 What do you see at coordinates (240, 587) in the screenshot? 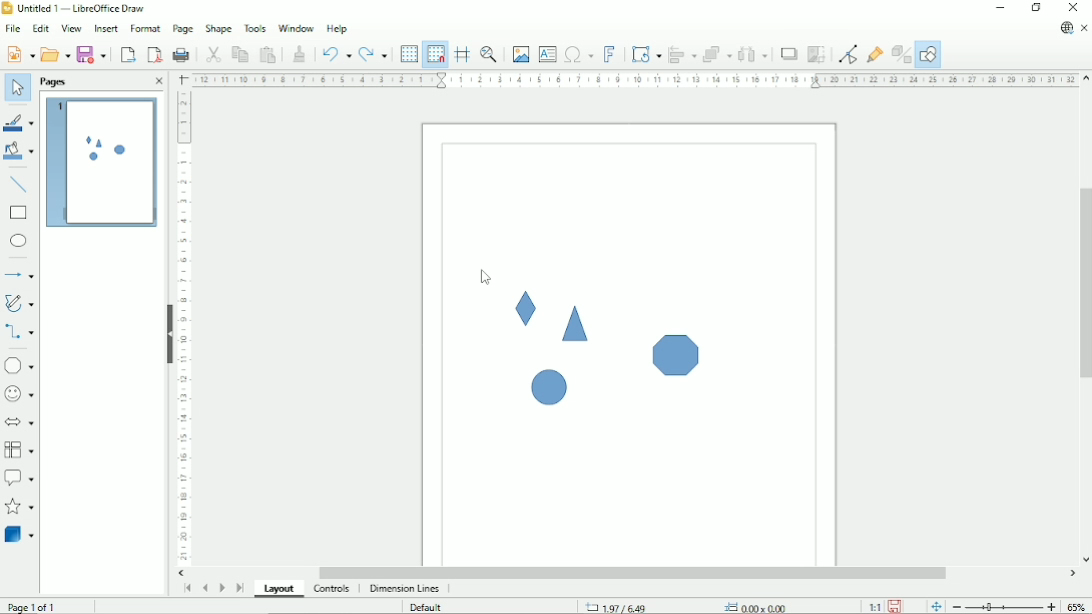
I see `Scroll to last page` at bounding box center [240, 587].